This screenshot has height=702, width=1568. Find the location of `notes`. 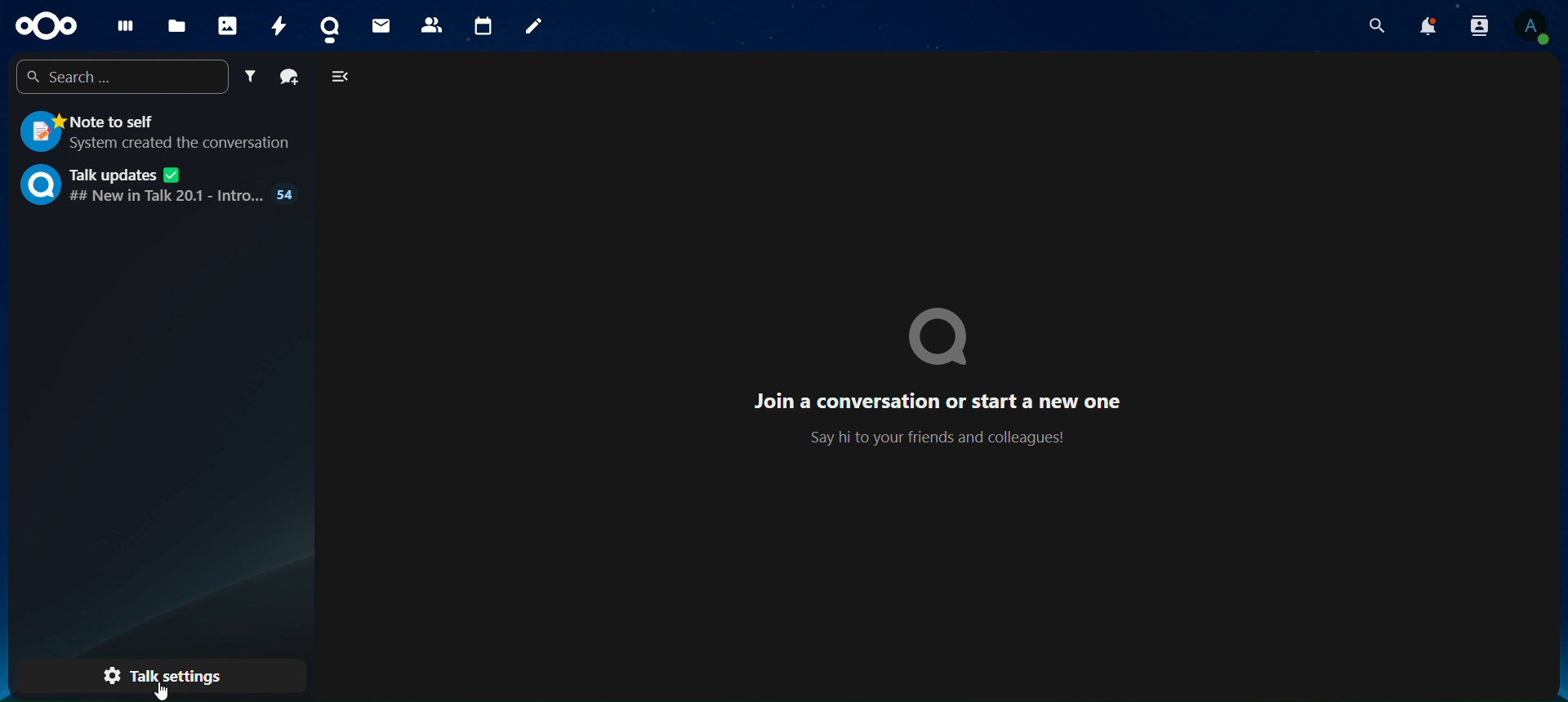

notes is located at coordinates (532, 26).